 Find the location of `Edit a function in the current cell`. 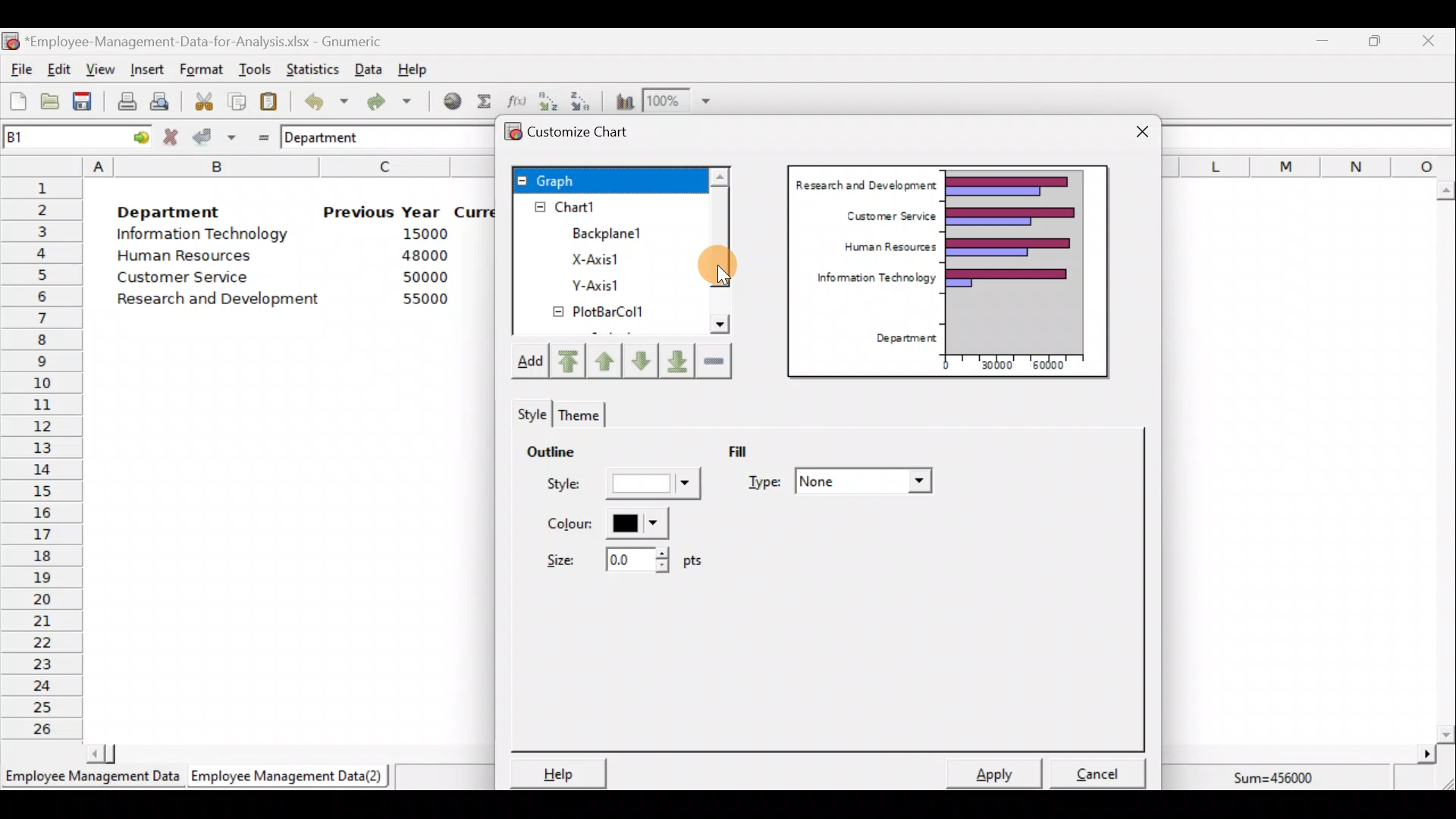

Edit a function in the current cell is located at coordinates (516, 100).